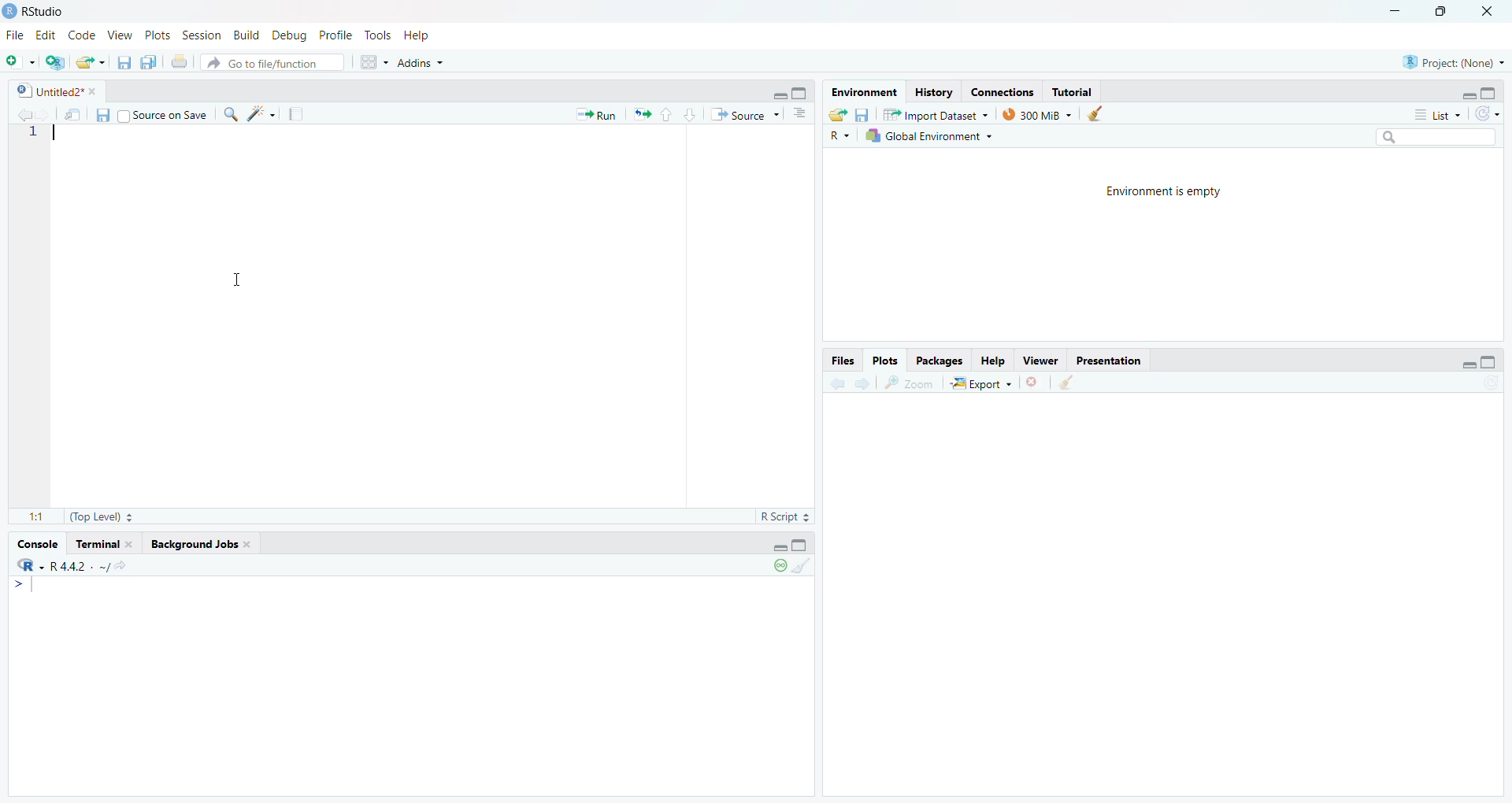 Image resolution: width=1512 pixels, height=803 pixels. I want to click on go forward, so click(861, 383).